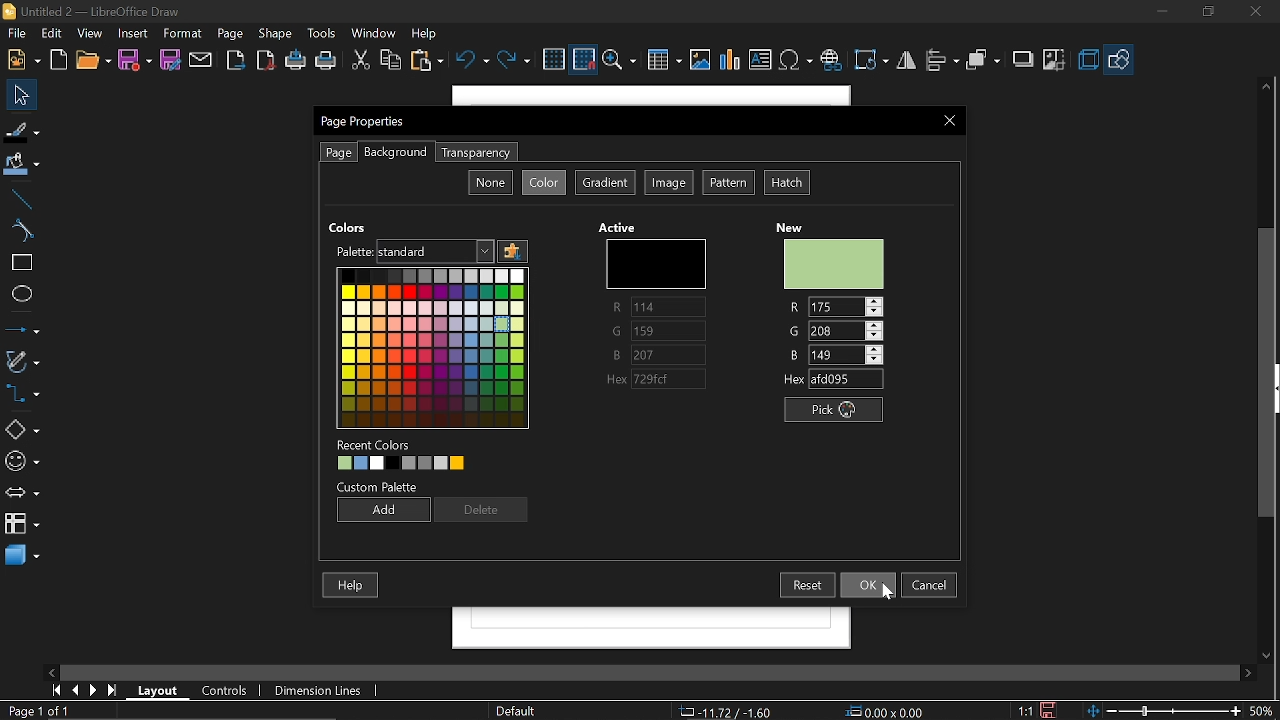 Image resolution: width=1280 pixels, height=720 pixels. Describe the element at coordinates (834, 263) in the screenshot. I see `New` at that location.